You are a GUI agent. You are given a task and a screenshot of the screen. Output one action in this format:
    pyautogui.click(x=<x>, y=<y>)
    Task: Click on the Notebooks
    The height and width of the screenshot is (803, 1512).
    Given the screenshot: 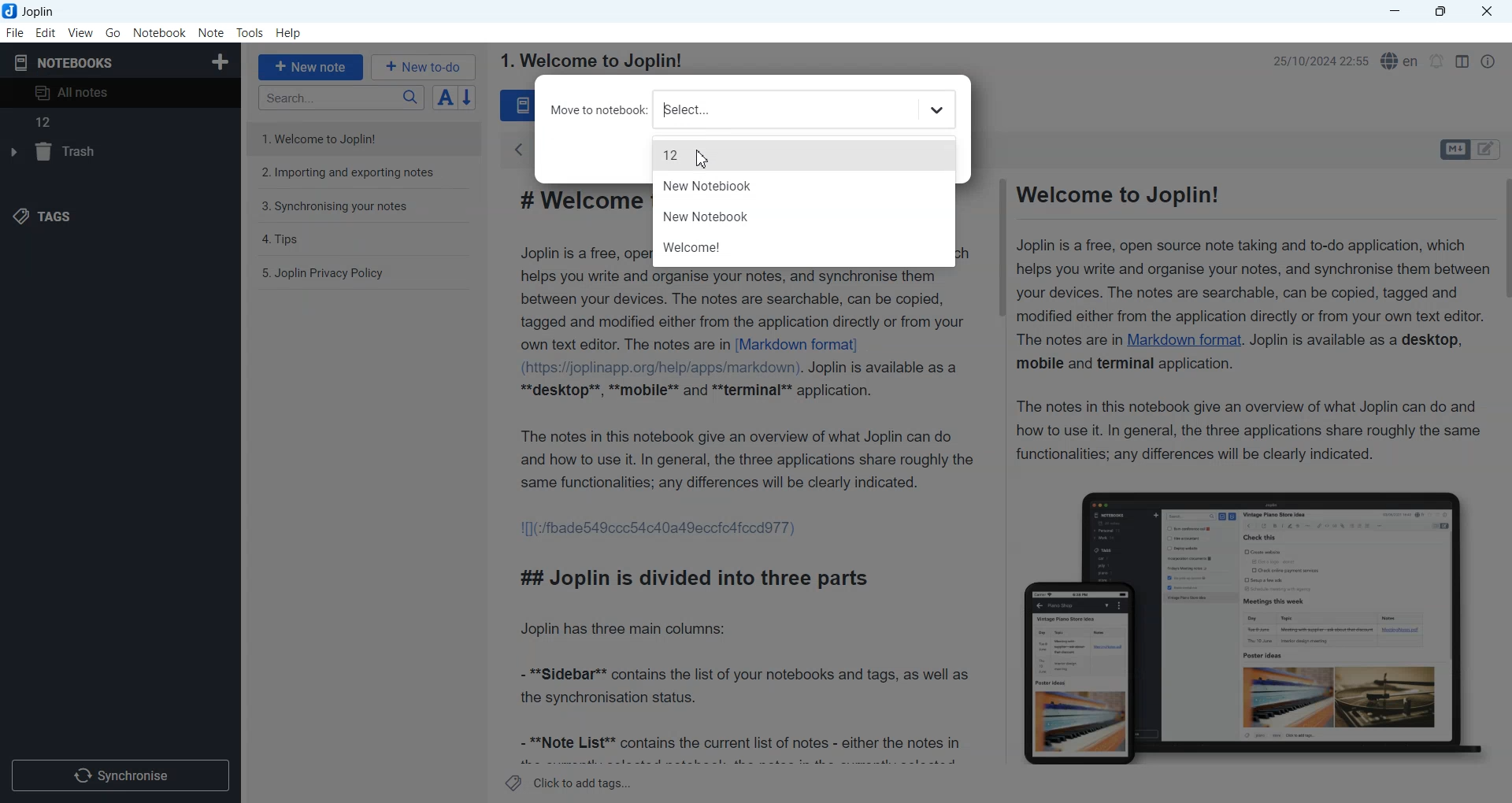 What is the action you would take?
    pyautogui.click(x=64, y=62)
    